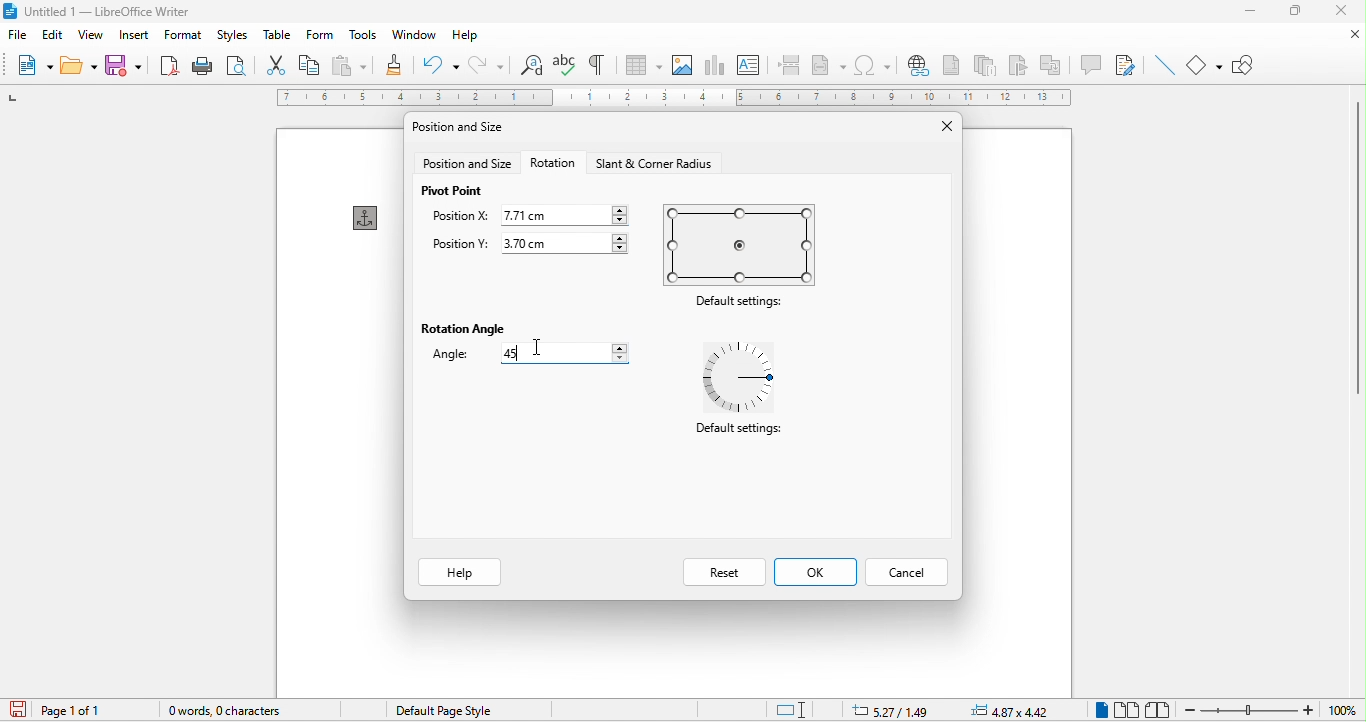 This screenshot has width=1366, height=722. I want to click on print, so click(200, 65).